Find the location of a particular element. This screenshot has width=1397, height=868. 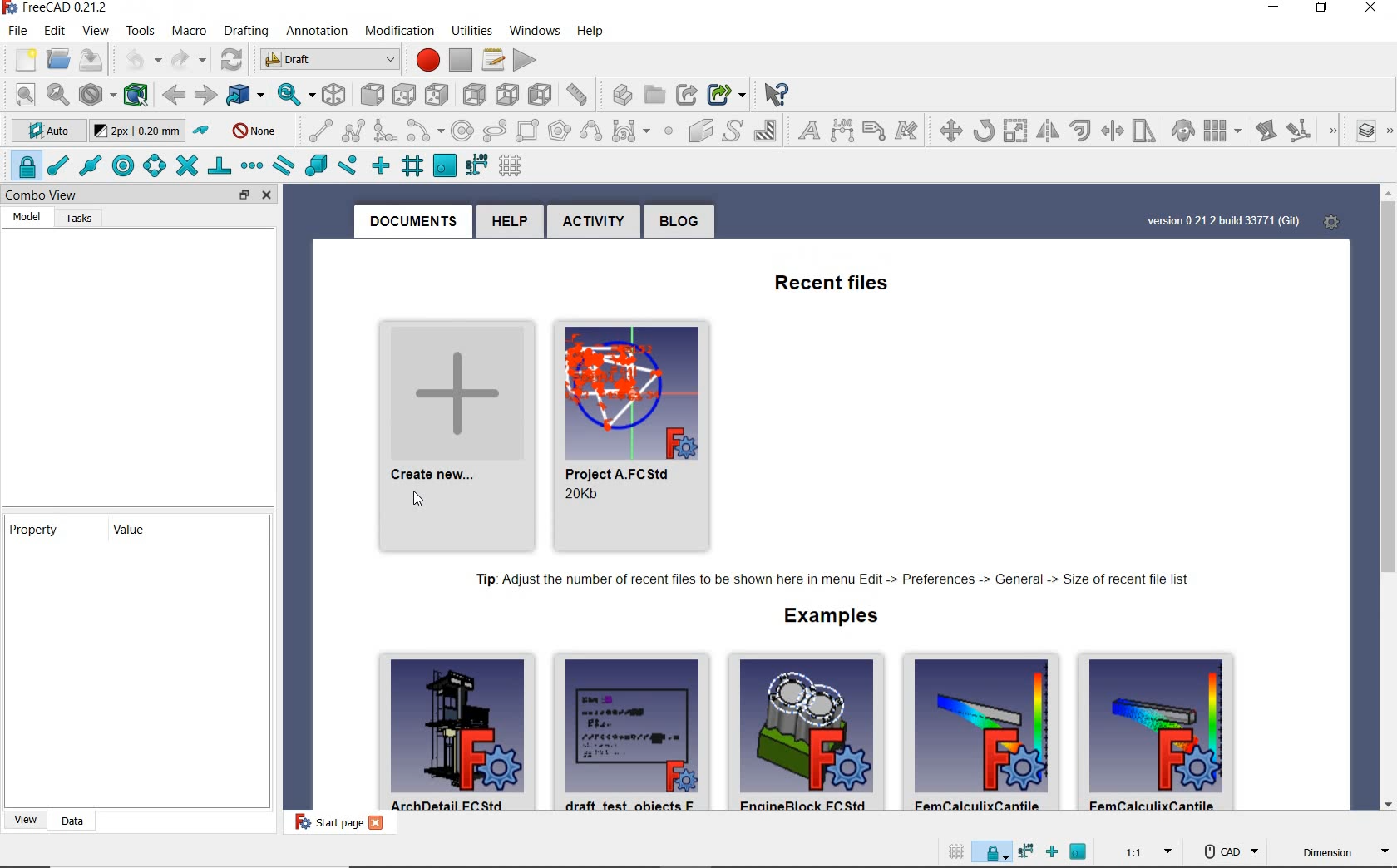

bottom is located at coordinates (477, 93).